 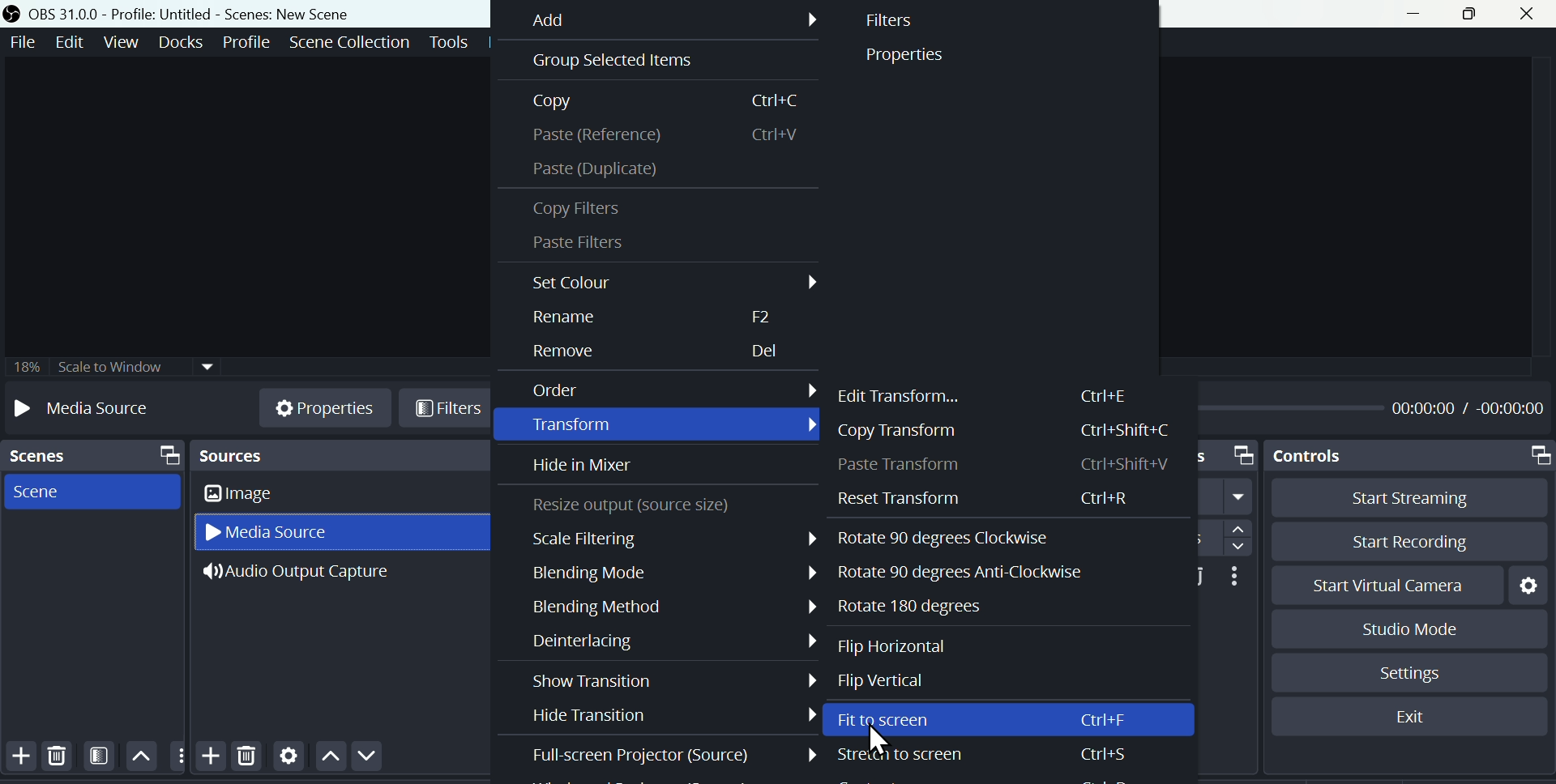 I want to click on Remove, so click(x=652, y=354).